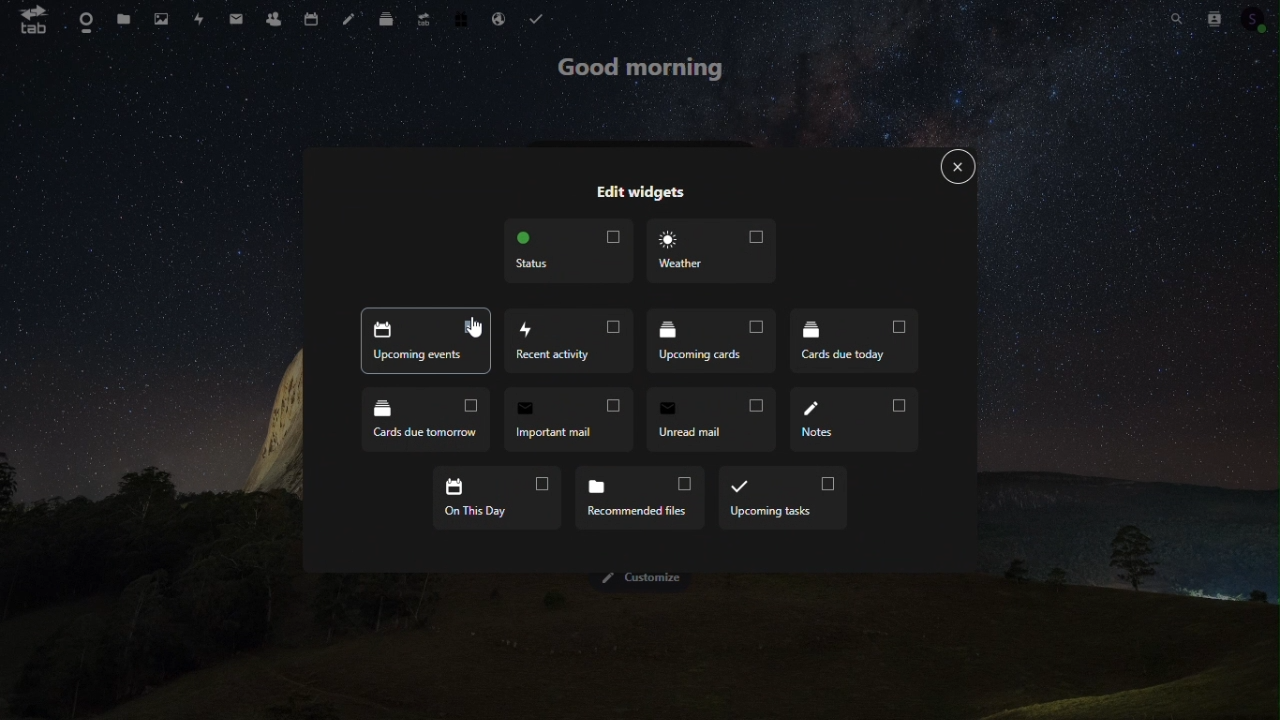  What do you see at coordinates (959, 168) in the screenshot?
I see `close` at bounding box center [959, 168].